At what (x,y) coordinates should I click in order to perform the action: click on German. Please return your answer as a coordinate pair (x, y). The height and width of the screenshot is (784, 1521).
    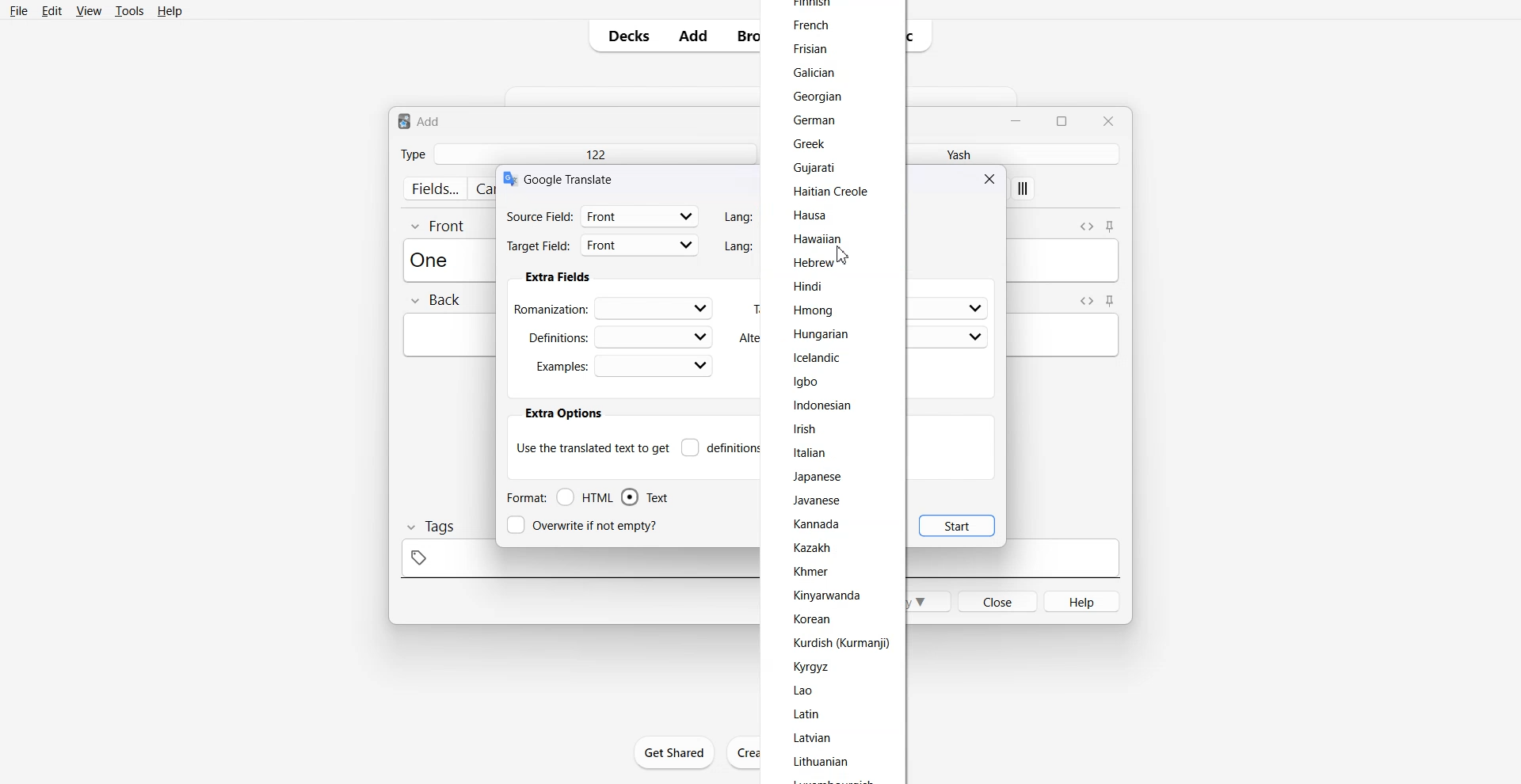
    Looking at the image, I should click on (814, 120).